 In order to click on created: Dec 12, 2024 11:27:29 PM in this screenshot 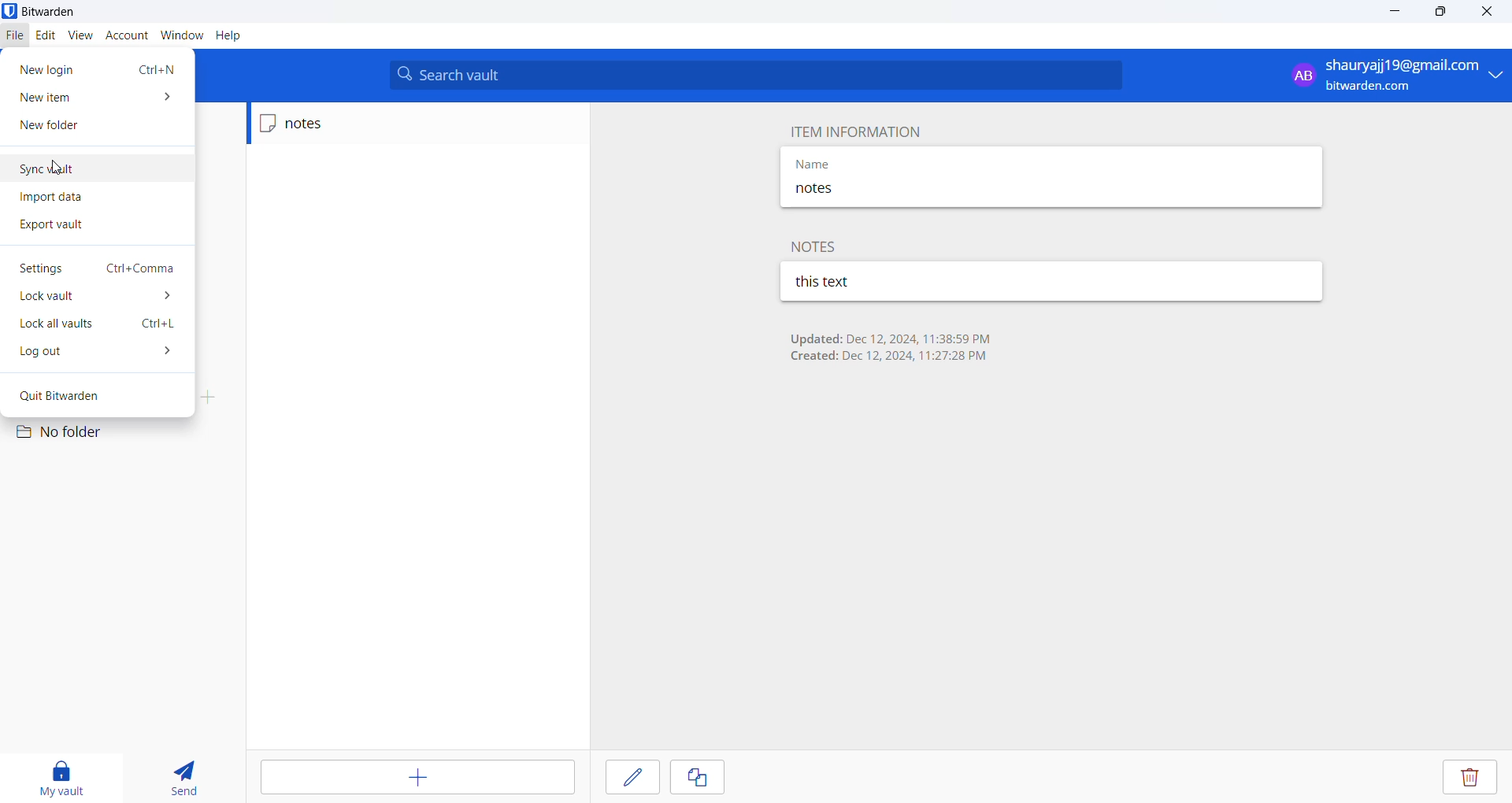, I will do `click(889, 358)`.